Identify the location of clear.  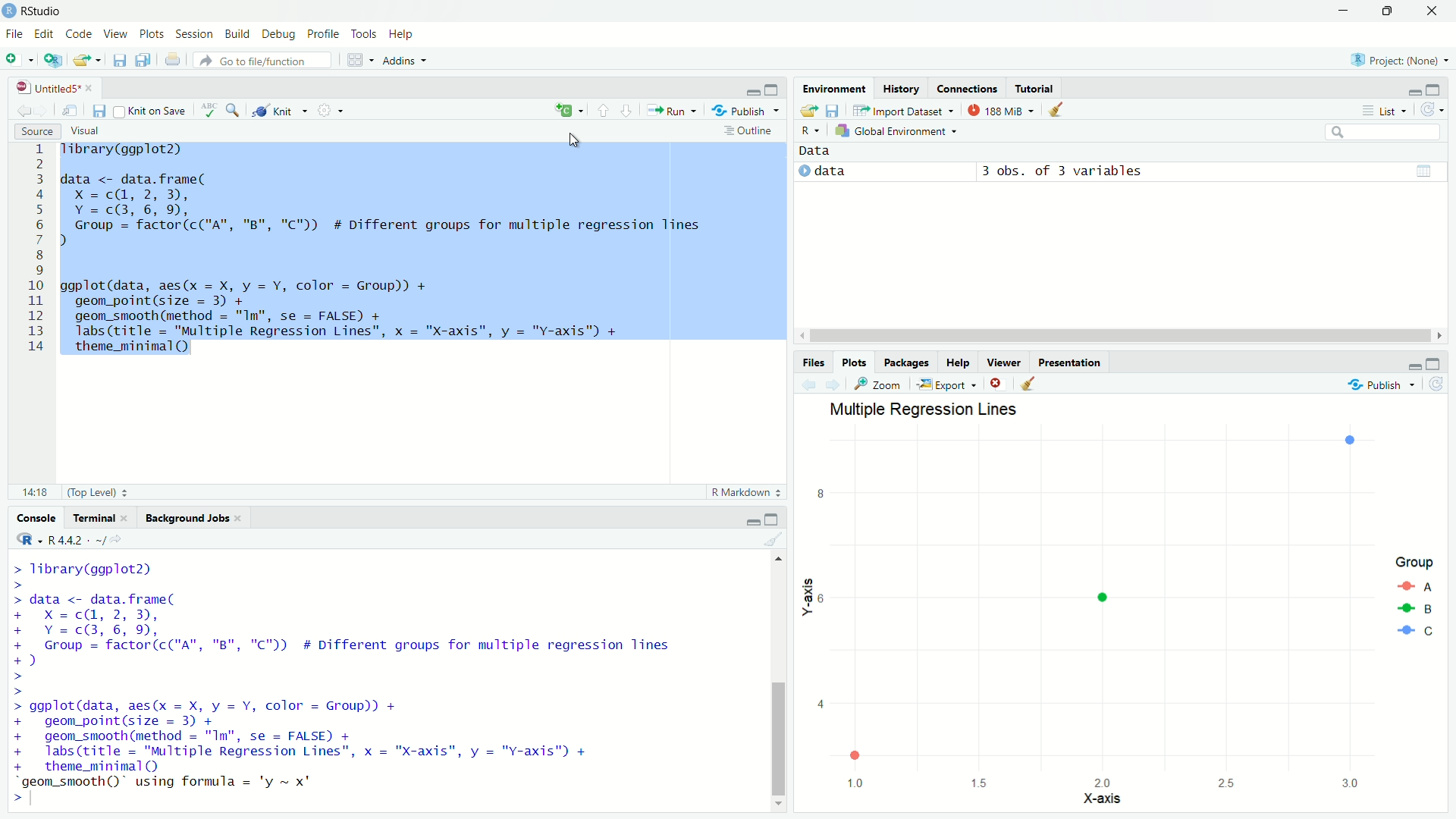
(1058, 111).